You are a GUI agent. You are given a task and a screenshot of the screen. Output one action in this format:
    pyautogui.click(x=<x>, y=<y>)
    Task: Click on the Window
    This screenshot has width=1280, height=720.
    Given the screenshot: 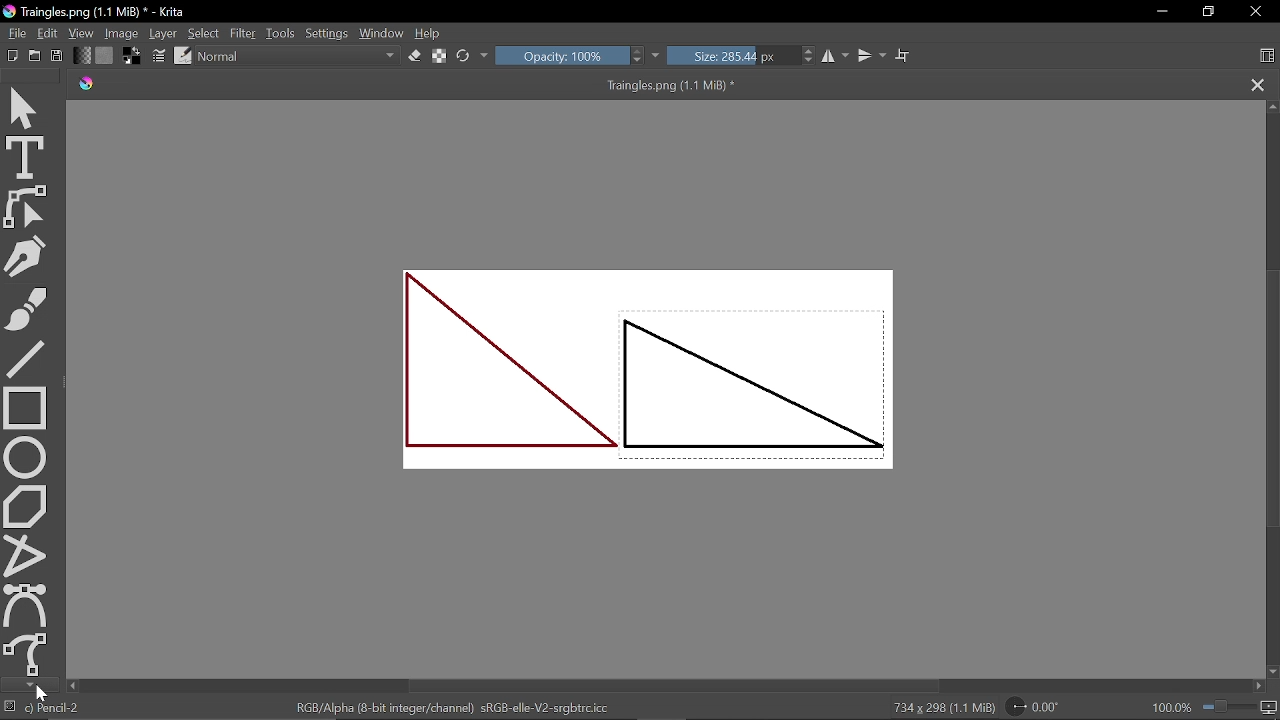 What is the action you would take?
    pyautogui.click(x=381, y=34)
    